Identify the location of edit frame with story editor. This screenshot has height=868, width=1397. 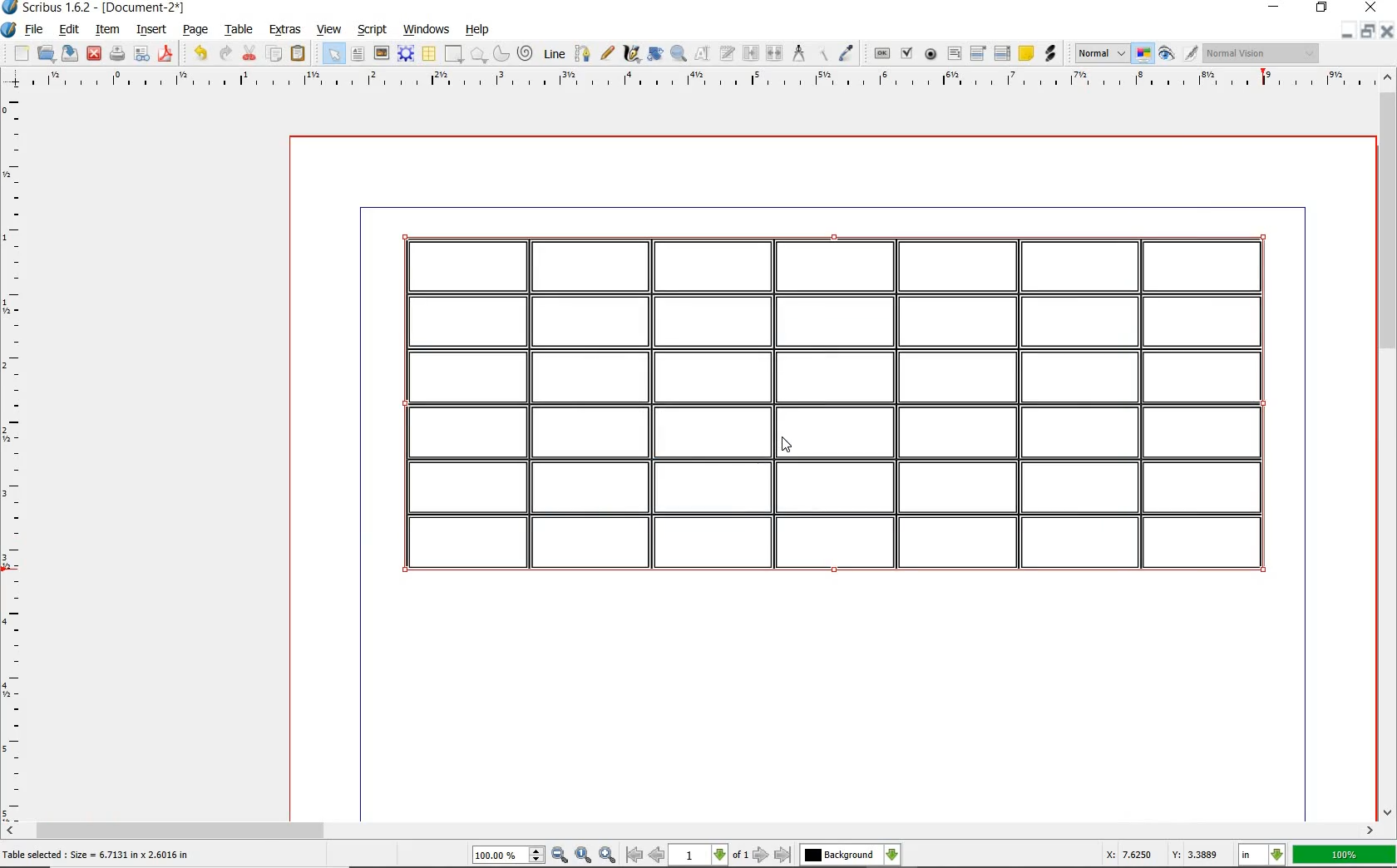
(725, 55).